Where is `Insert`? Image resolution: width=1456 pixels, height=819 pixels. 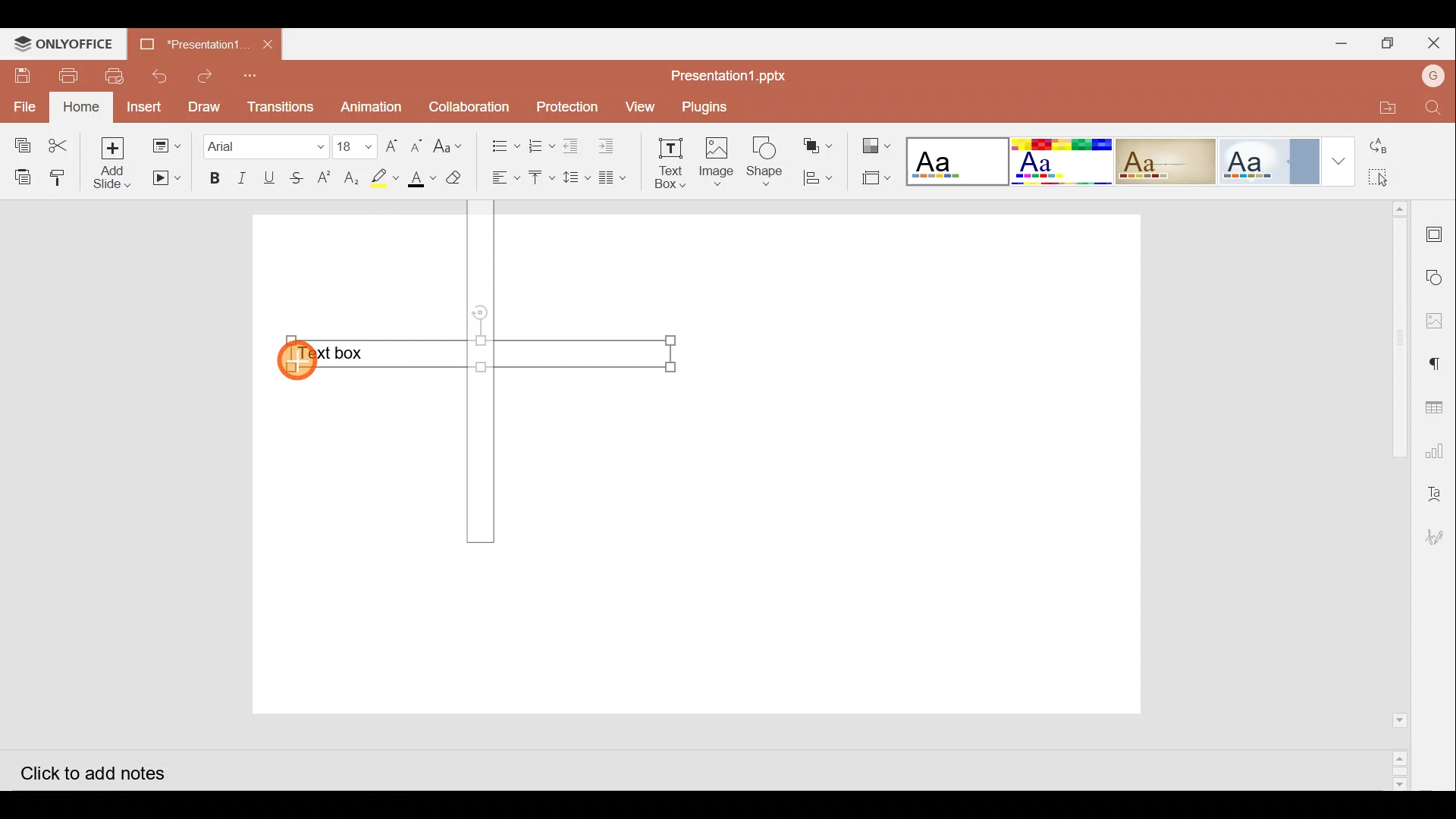 Insert is located at coordinates (144, 107).